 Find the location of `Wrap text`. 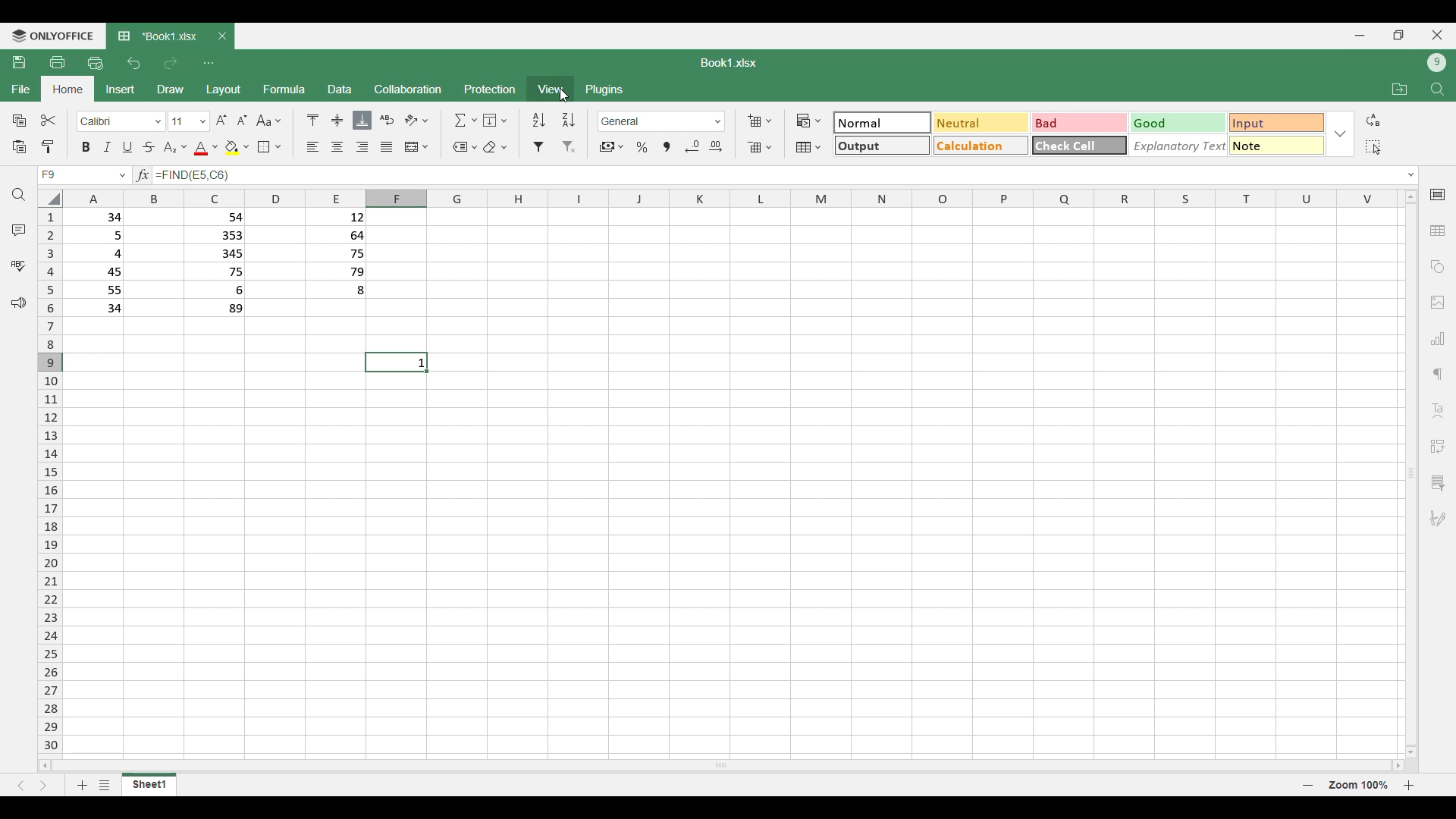

Wrap text is located at coordinates (387, 120).